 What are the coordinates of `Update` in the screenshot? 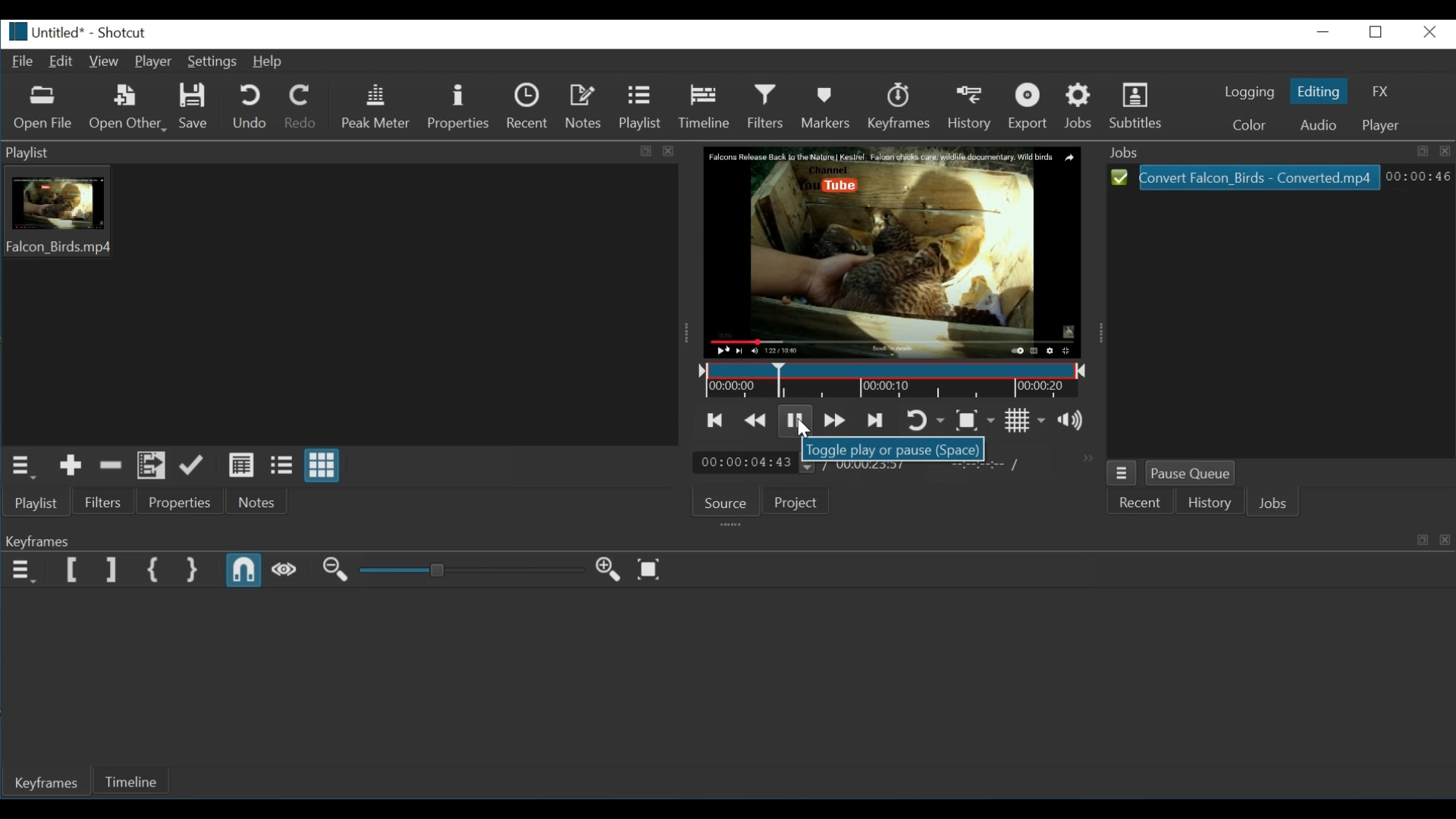 It's located at (193, 466).